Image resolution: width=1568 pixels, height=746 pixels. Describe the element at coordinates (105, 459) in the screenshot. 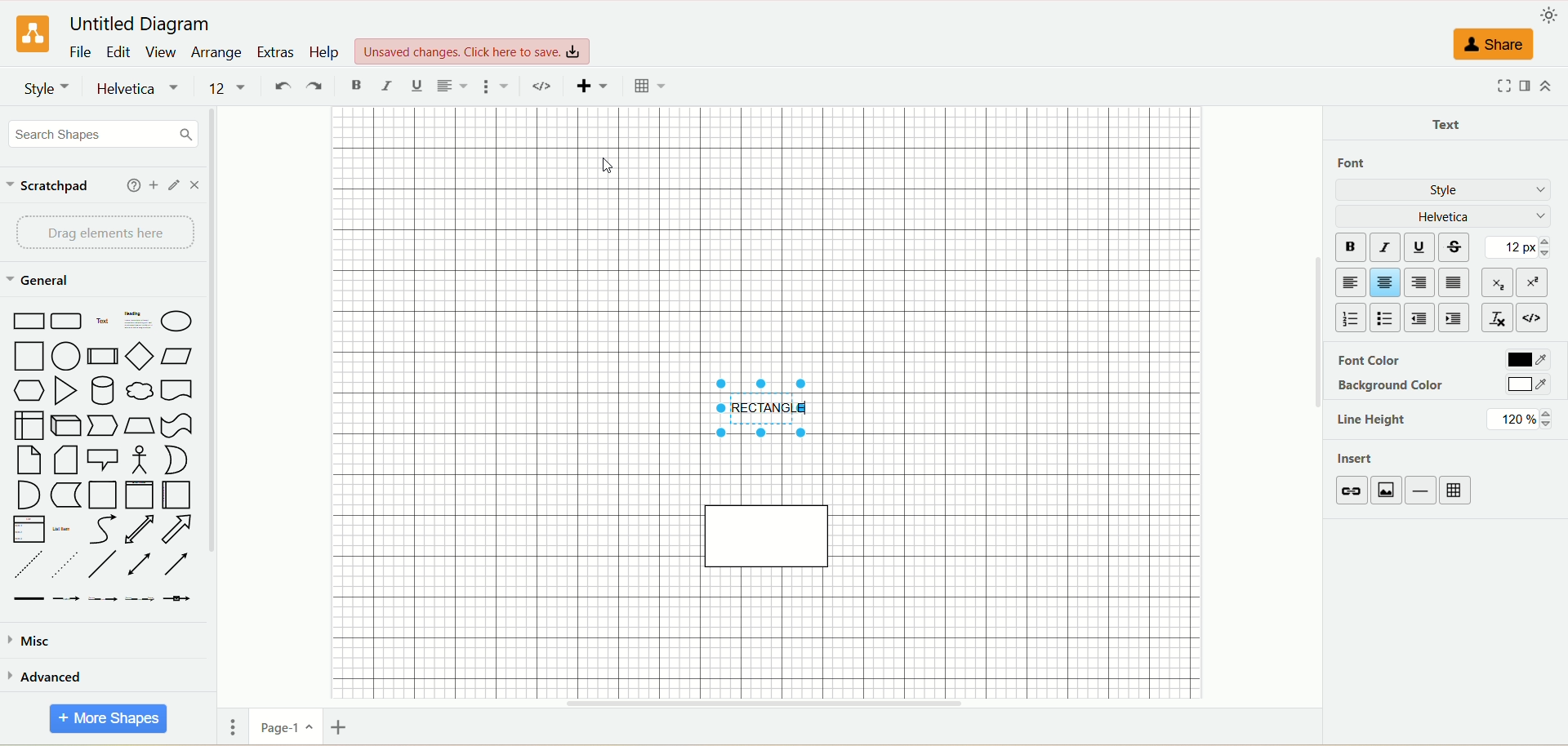

I see `callout` at that location.